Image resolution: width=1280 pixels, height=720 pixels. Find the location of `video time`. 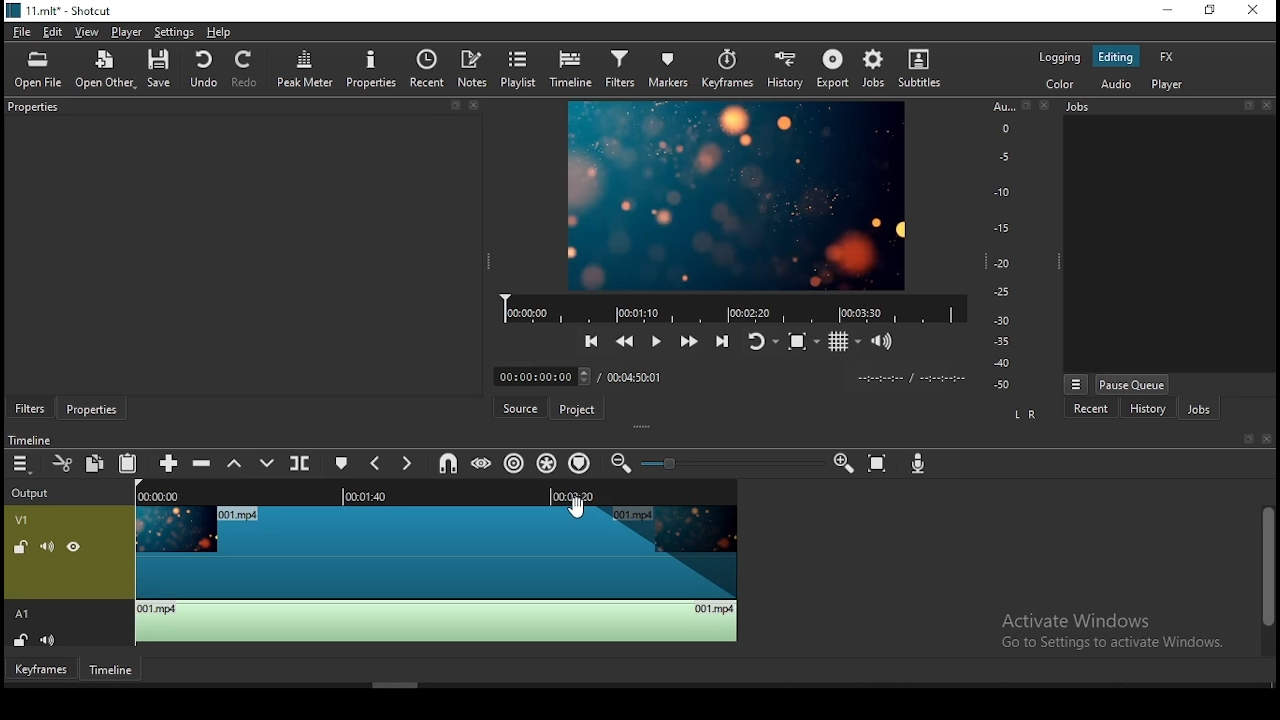

video time is located at coordinates (170, 497).